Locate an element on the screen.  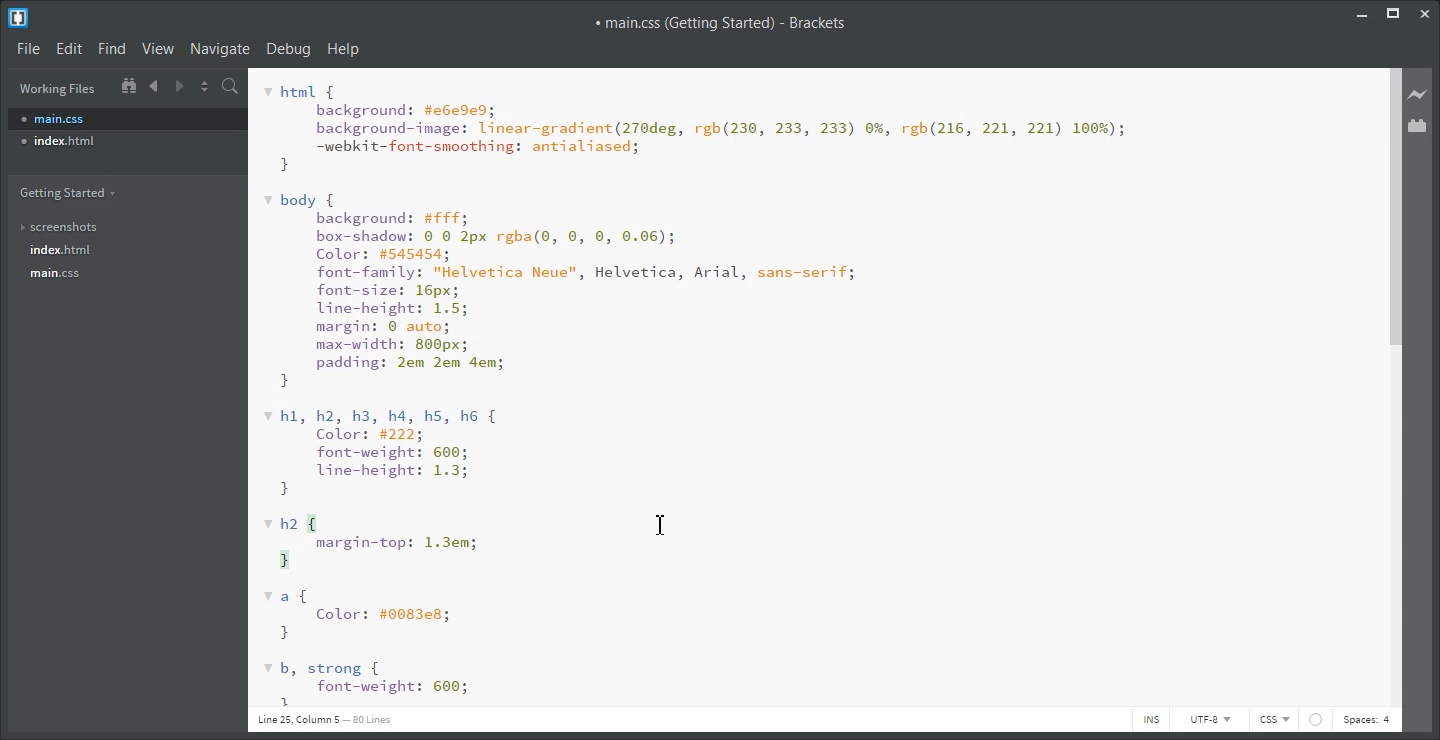
Find is located at coordinates (111, 49).